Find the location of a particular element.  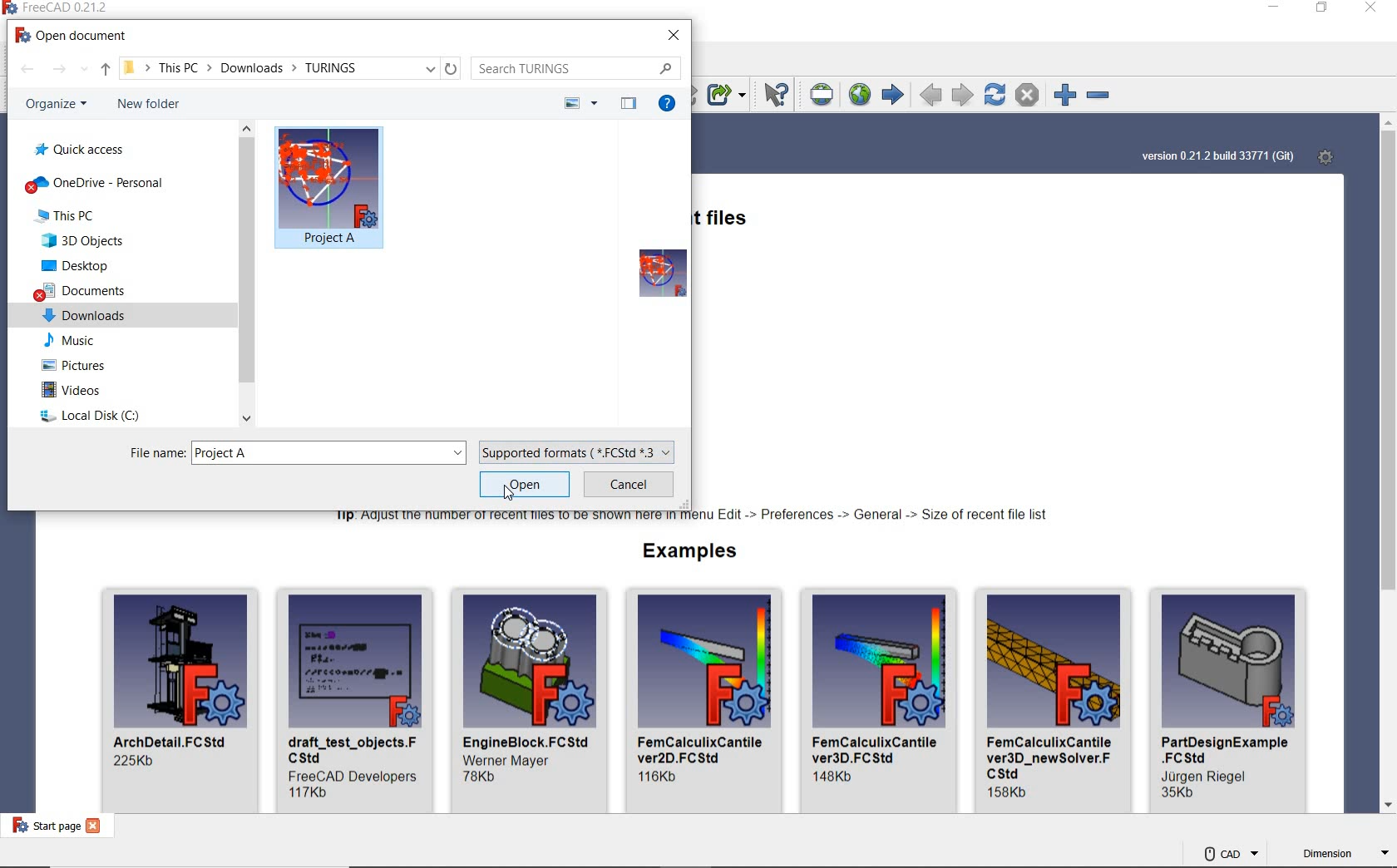

CHANGE YOUR VIEW is located at coordinates (580, 104).